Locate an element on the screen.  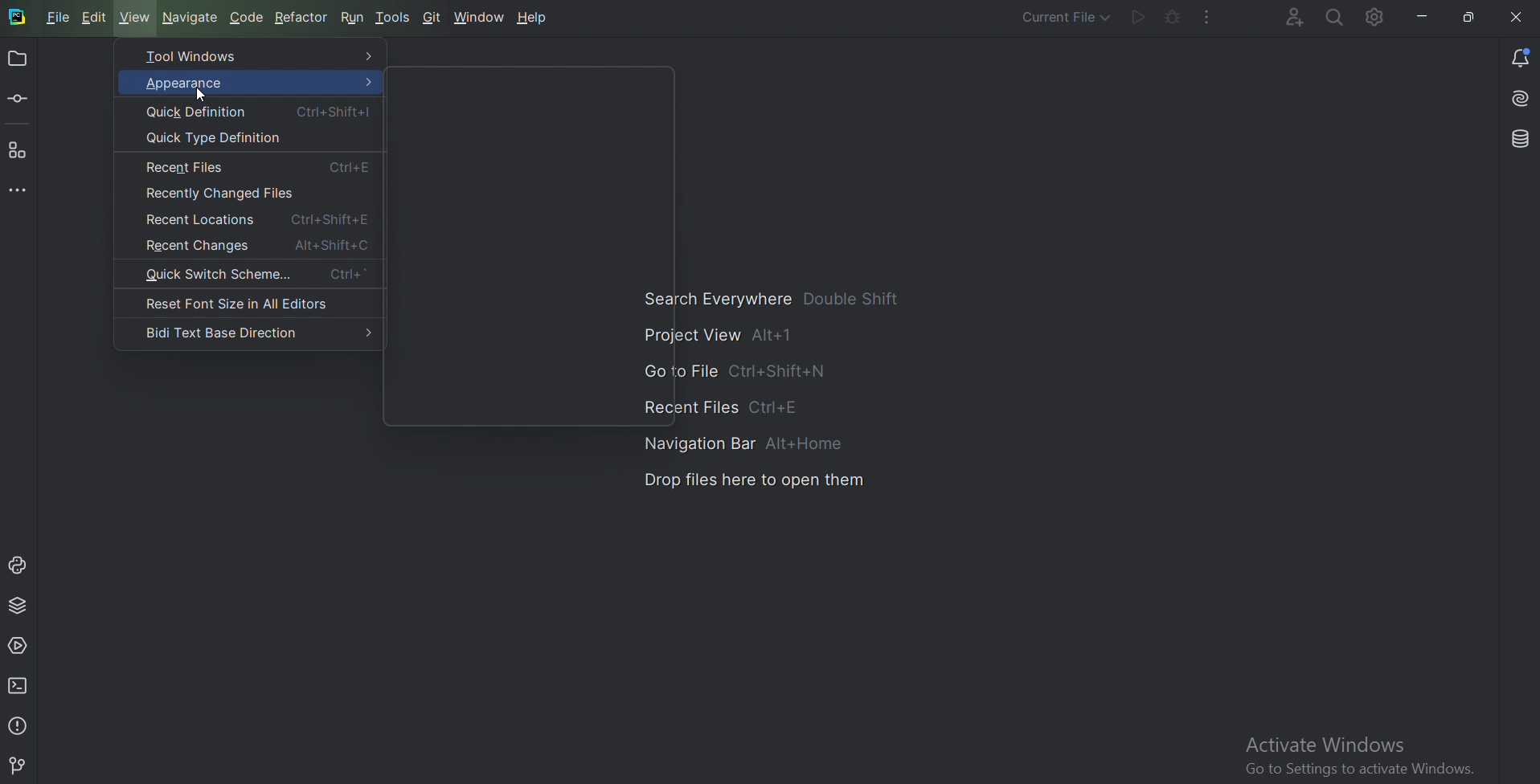
Restore down is located at coordinates (1468, 18).